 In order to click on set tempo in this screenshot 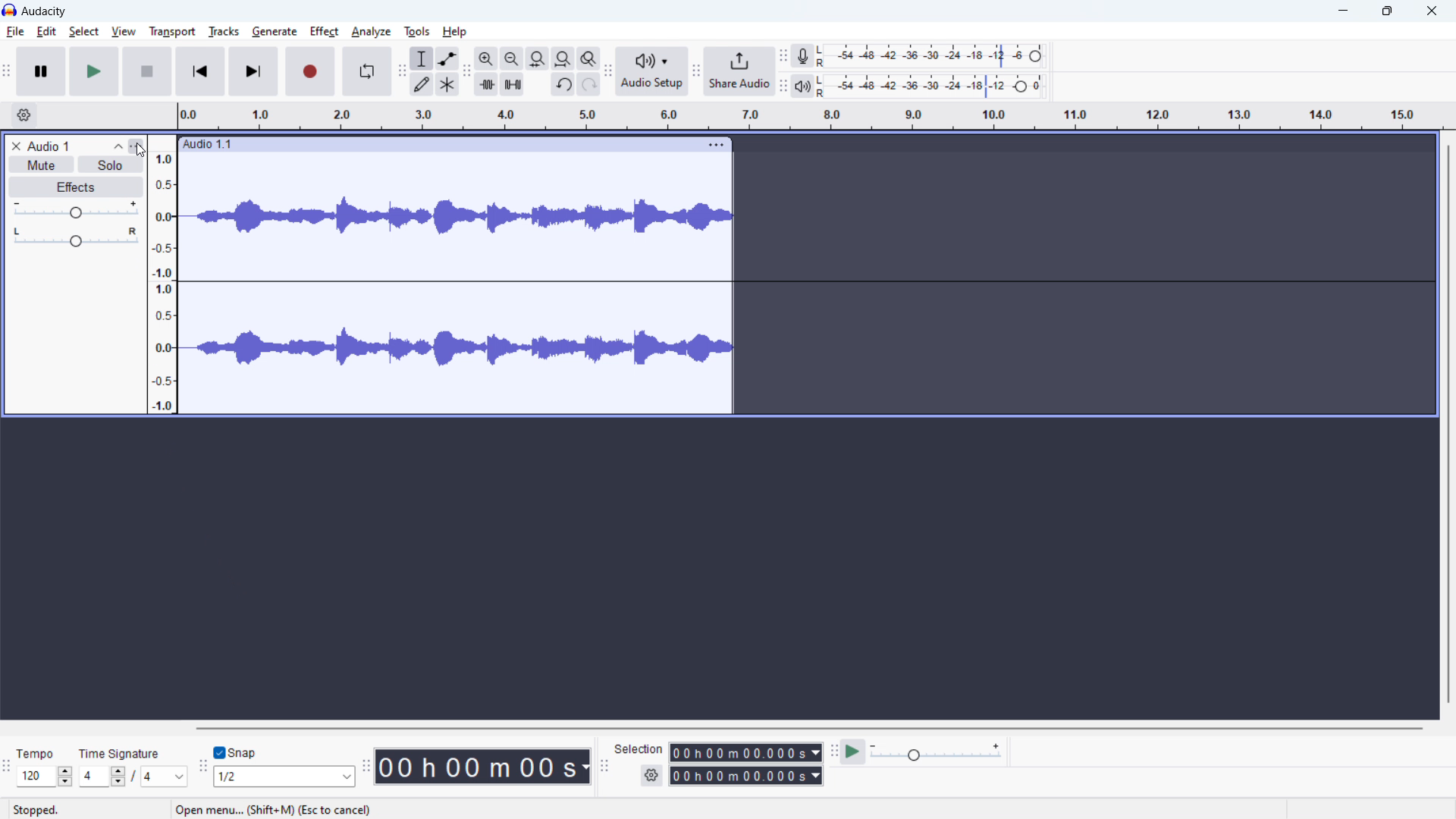, I will do `click(44, 777)`.